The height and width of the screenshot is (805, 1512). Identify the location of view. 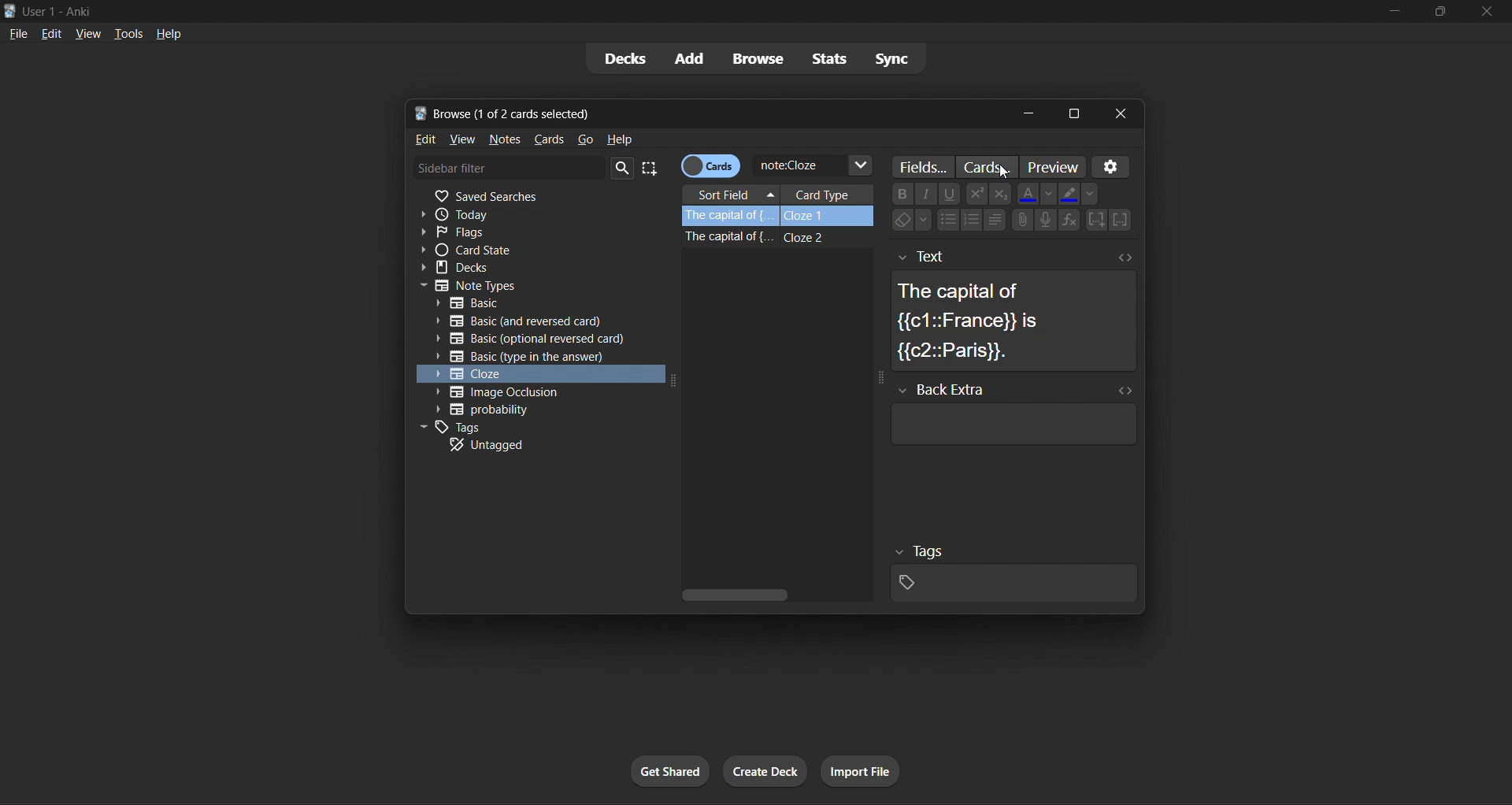
(462, 140).